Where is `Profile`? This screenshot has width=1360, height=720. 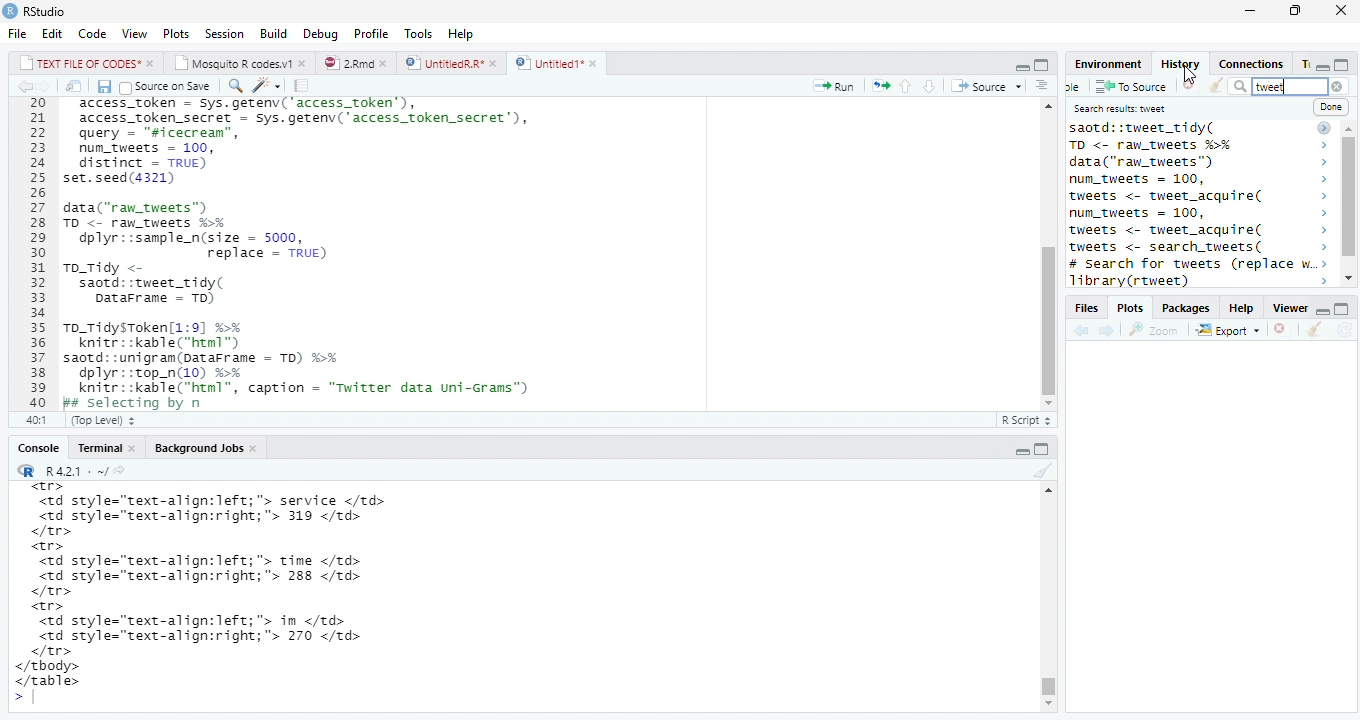 Profile is located at coordinates (371, 32).